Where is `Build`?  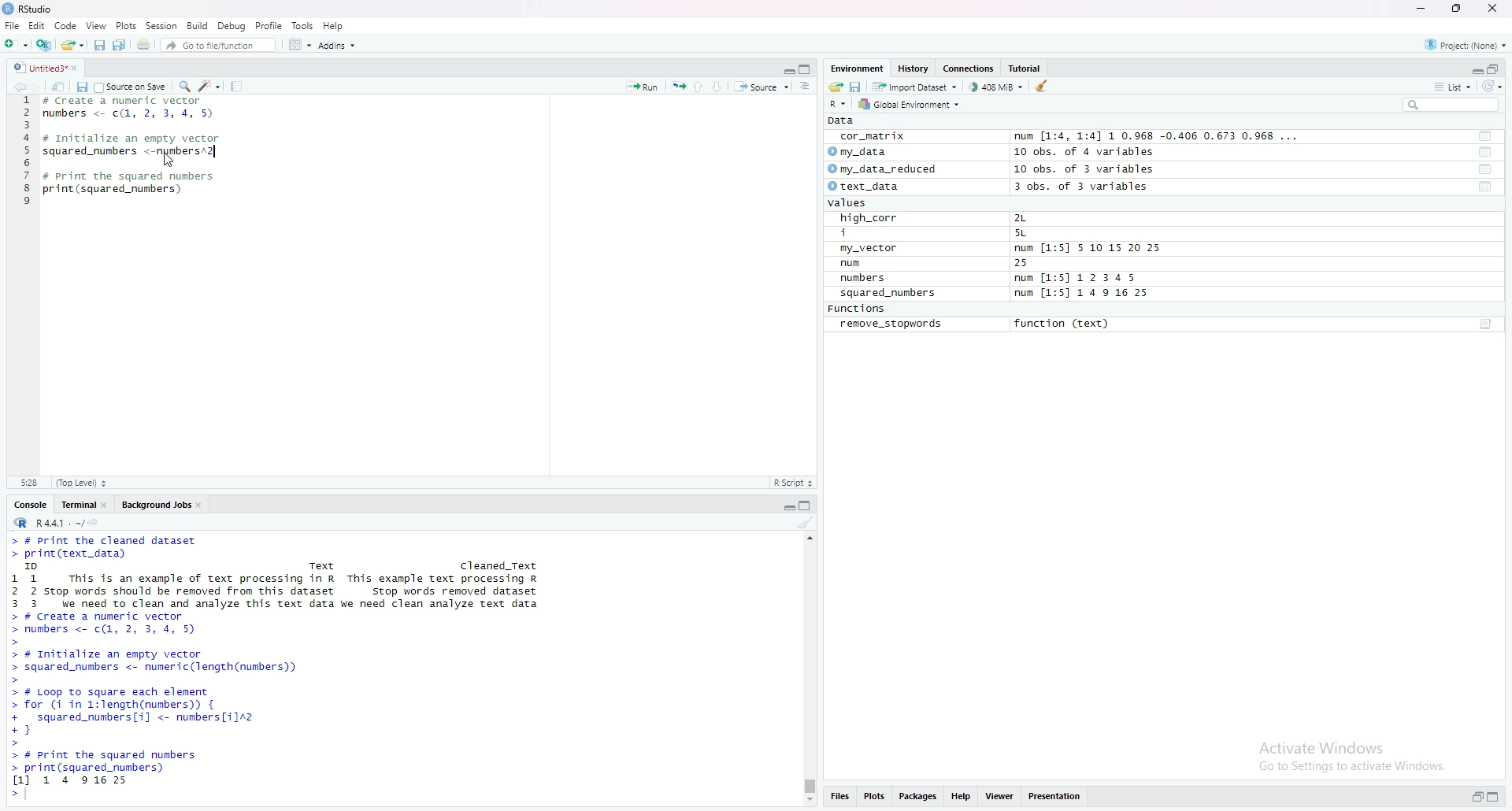 Build is located at coordinates (198, 25).